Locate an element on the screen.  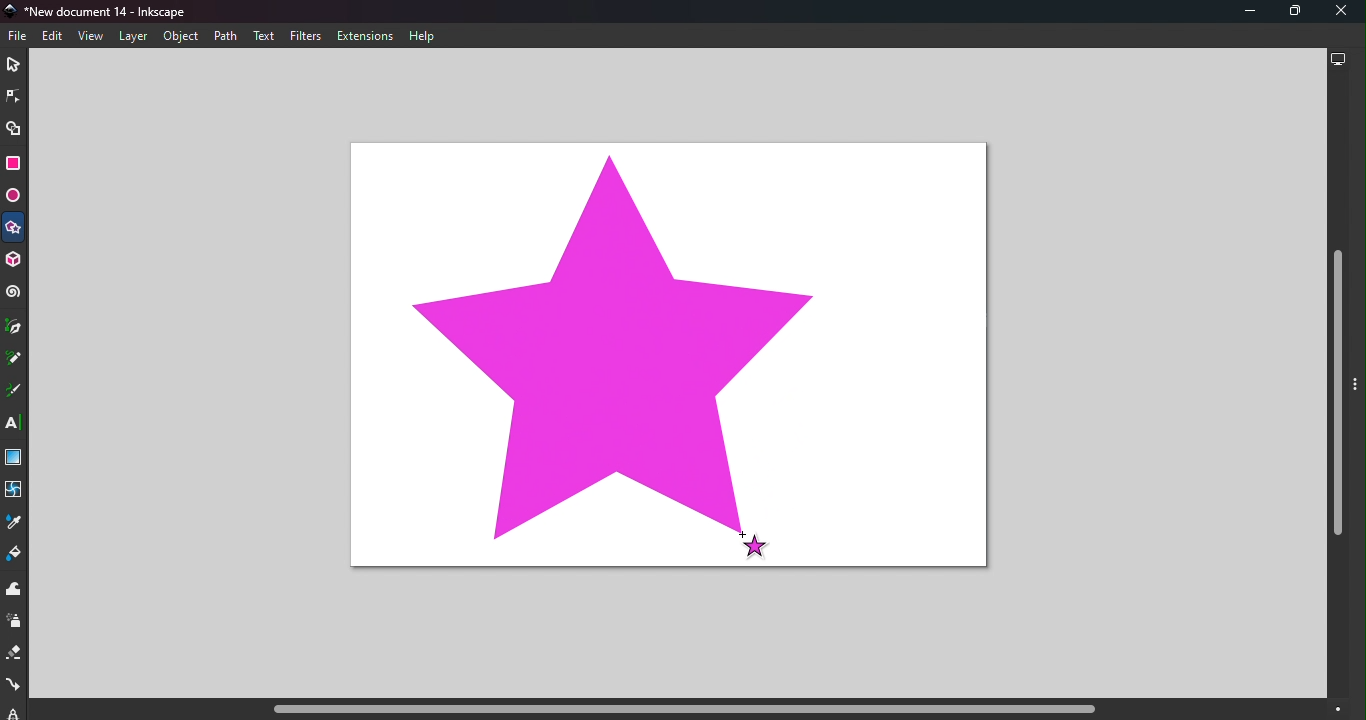
Toggle command panel is located at coordinates (1358, 395).